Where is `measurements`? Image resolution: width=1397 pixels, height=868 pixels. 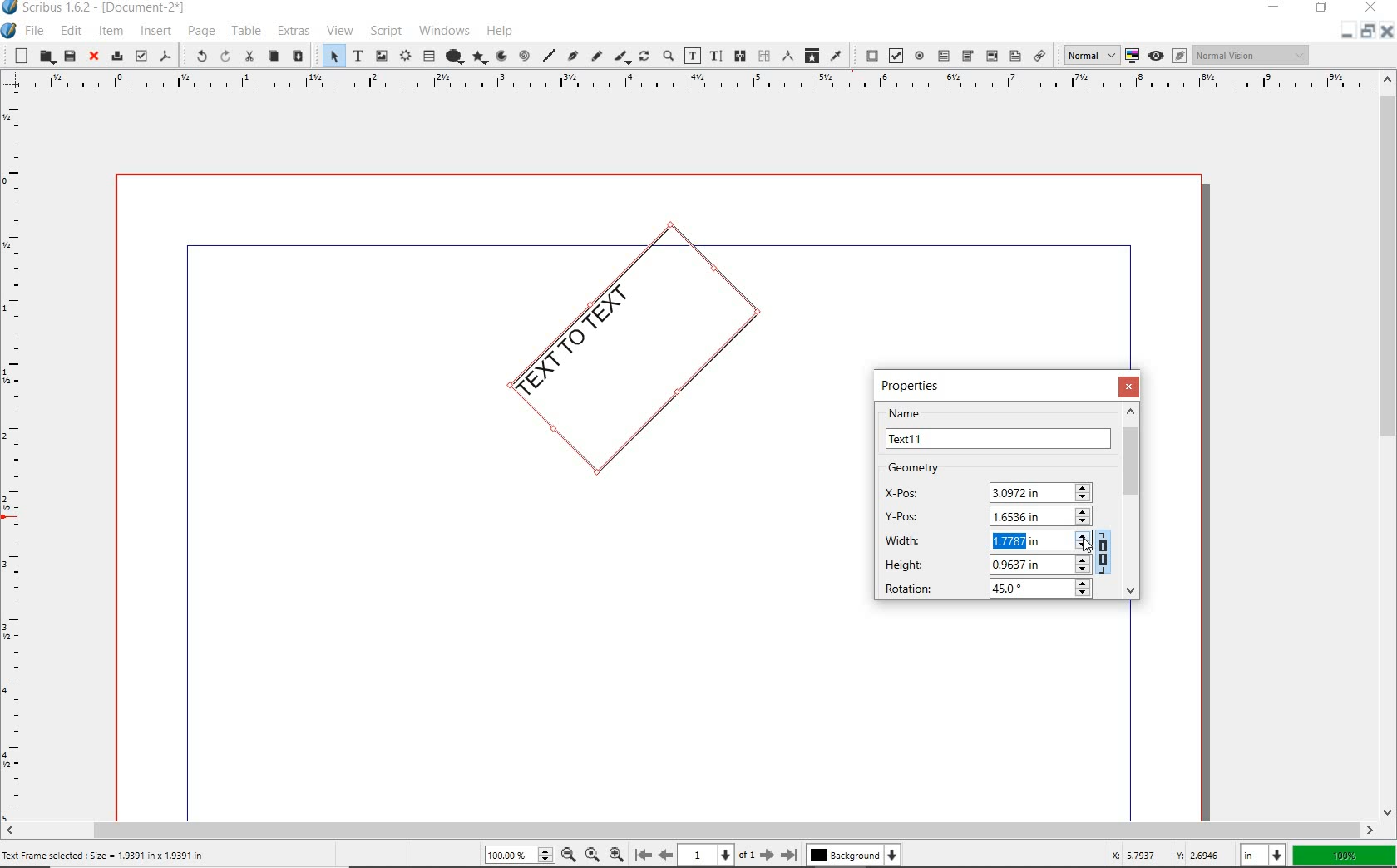 measurements is located at coordinates (788, 57).